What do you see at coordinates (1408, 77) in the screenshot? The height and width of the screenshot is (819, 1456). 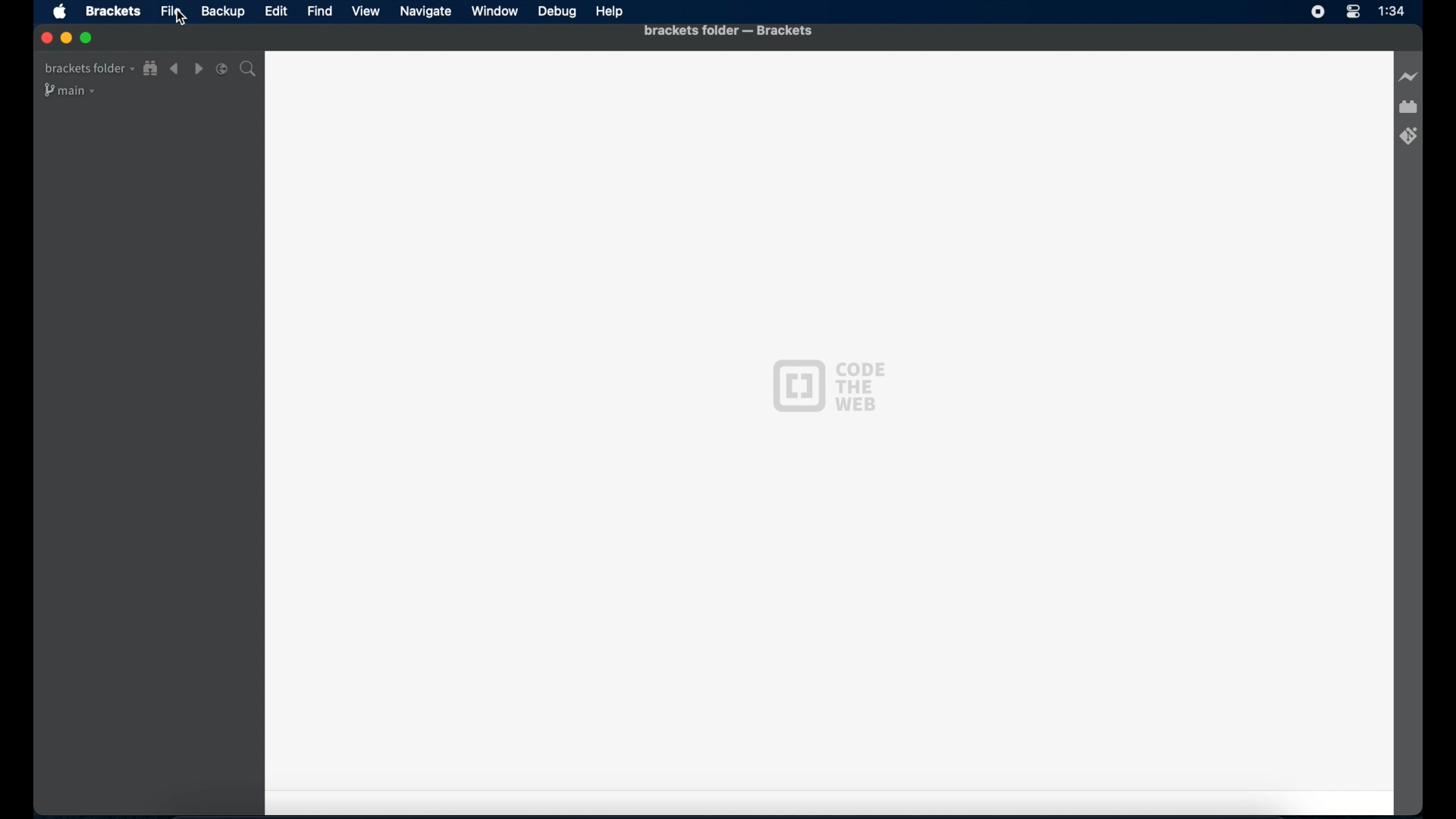 I see `Live preview` at bounding box center [1408, 77].